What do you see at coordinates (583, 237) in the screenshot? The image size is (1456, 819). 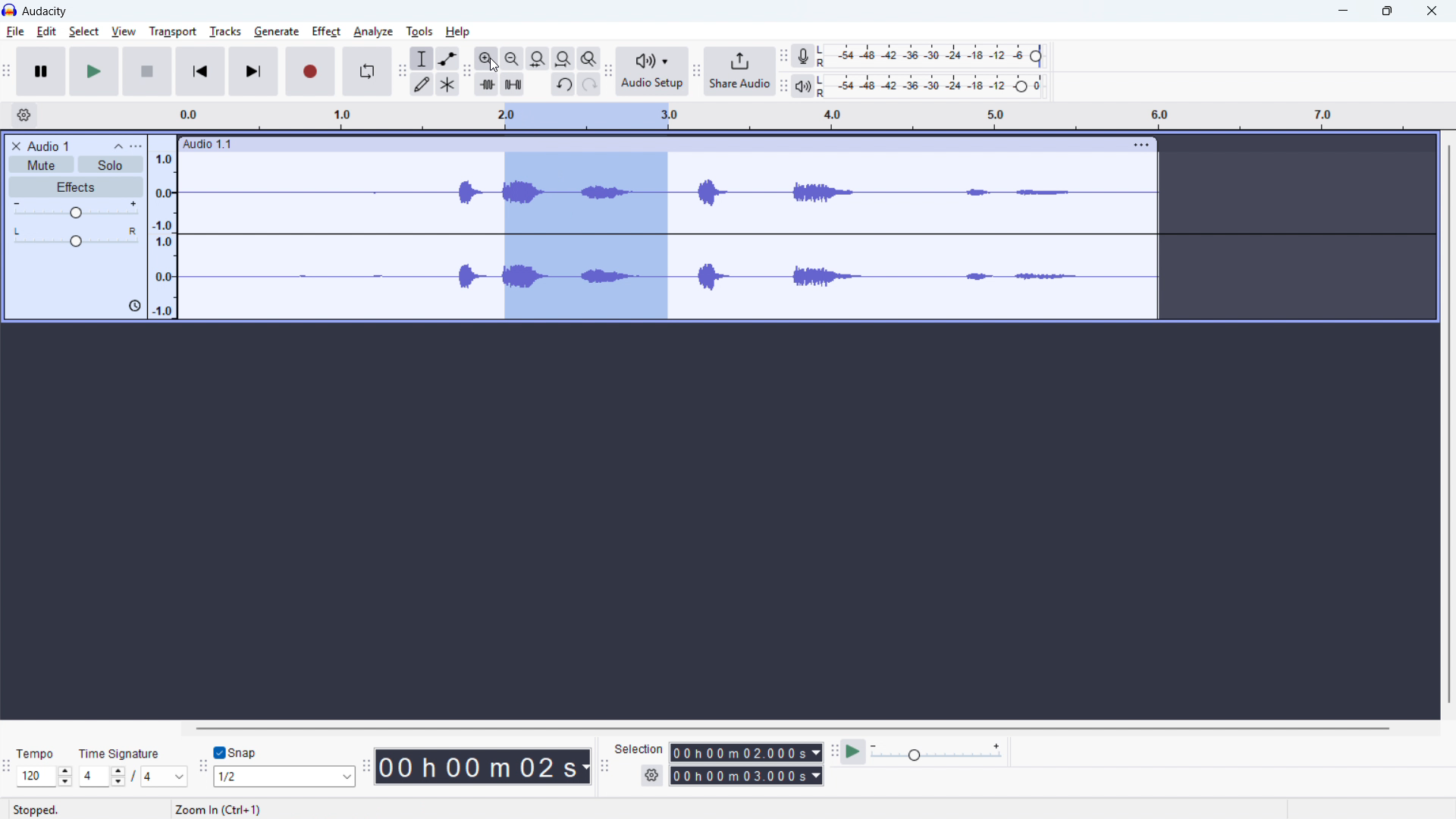 I see `Audio selection` at bounding box center [583, 237].